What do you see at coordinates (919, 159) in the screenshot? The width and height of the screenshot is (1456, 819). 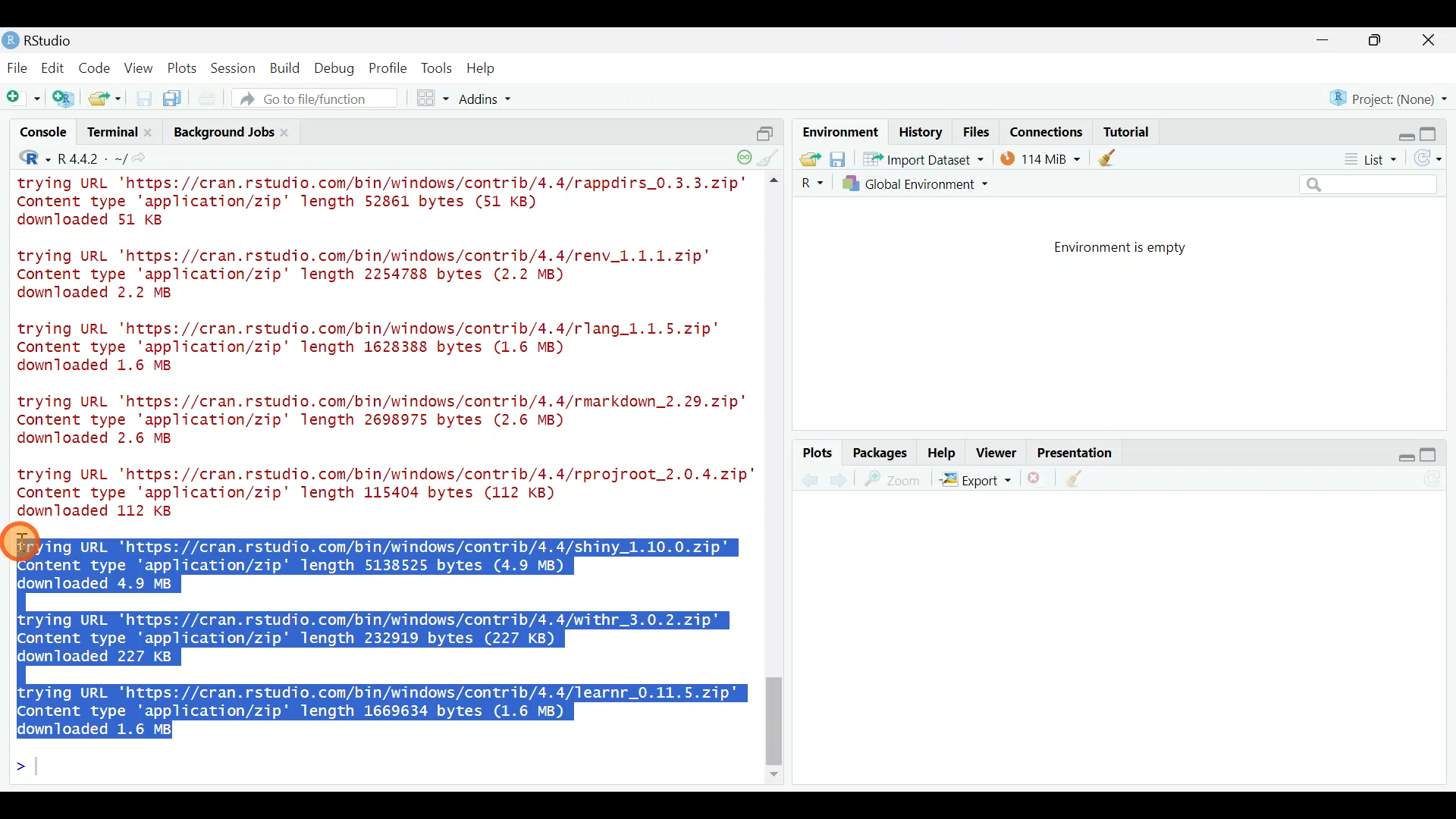 I see `* Import Dataset *` at bounding box center [919, 159].